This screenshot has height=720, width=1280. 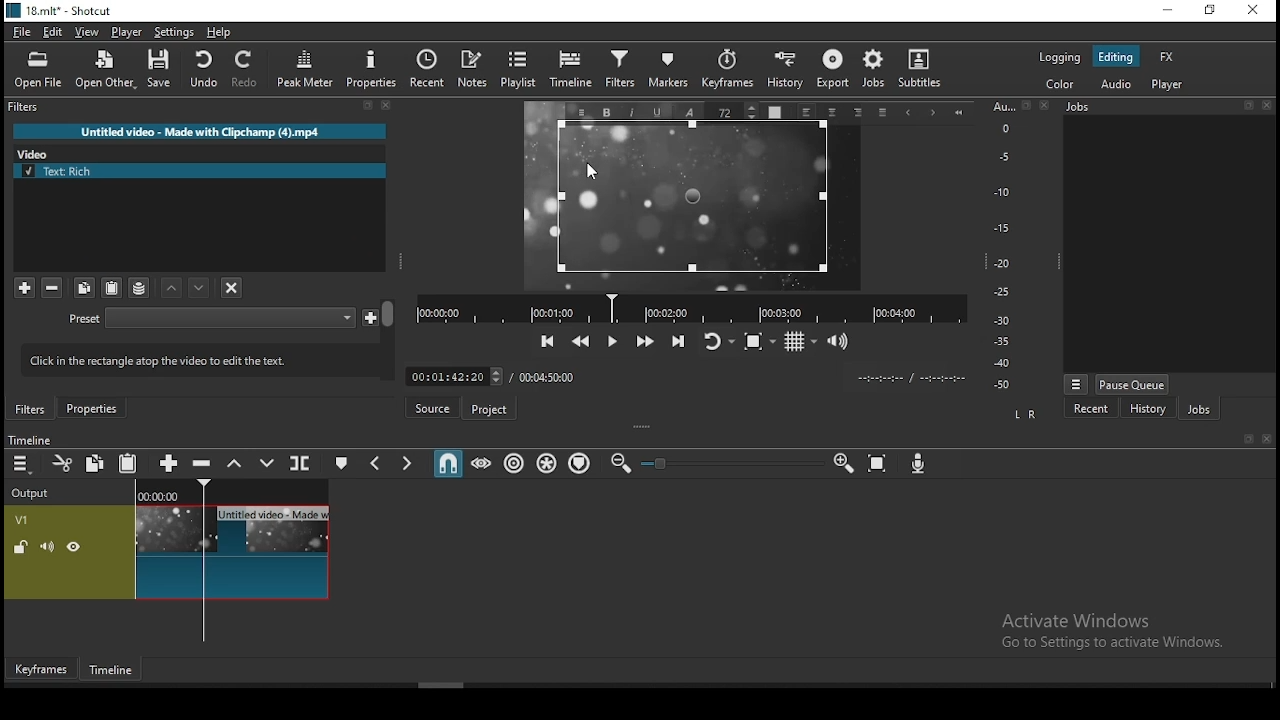 I want to click on save, so click(x=159, y=68).